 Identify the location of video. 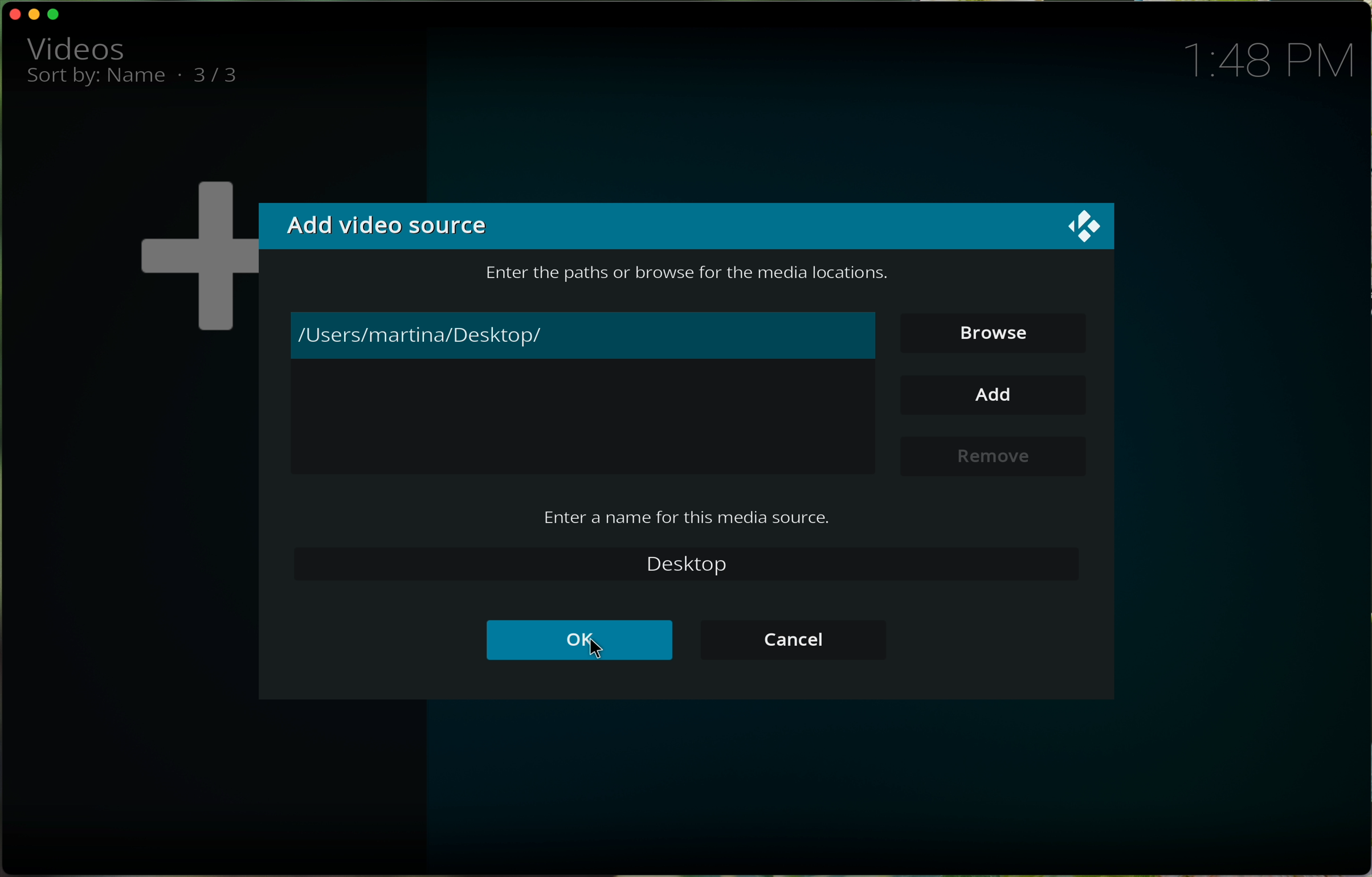
(75, 47).